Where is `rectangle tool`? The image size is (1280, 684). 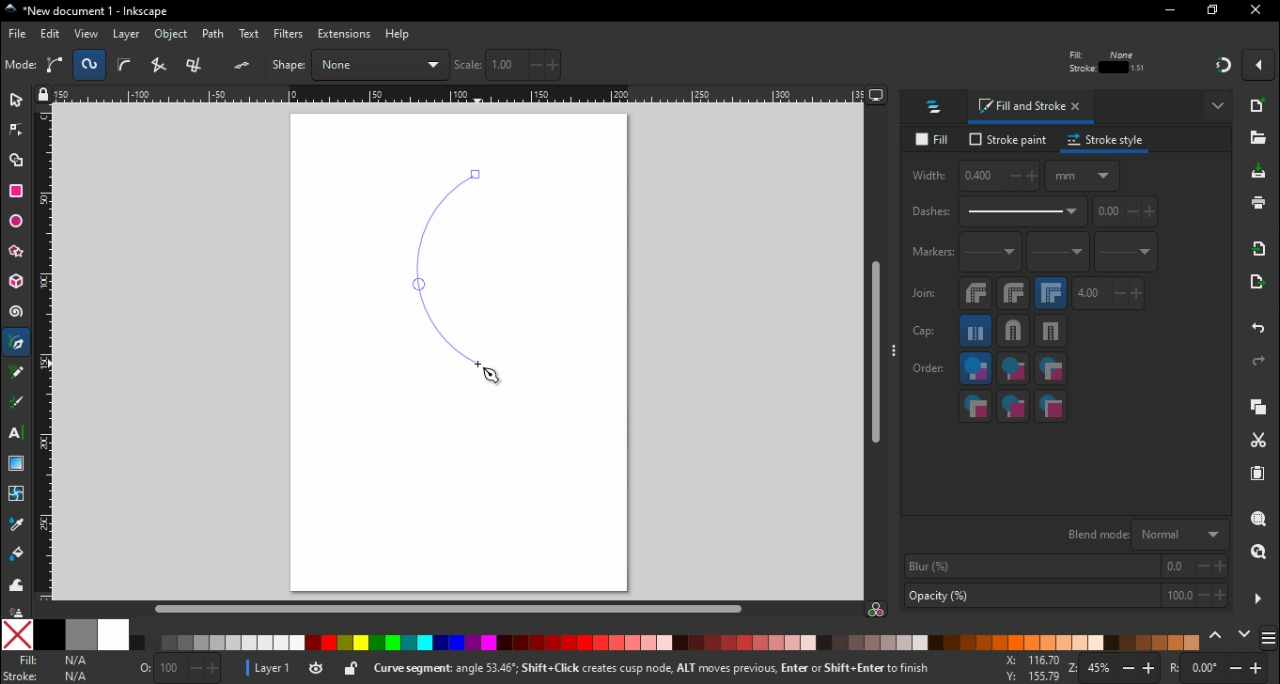 rectangle tool is located at coordinates (18, 191).